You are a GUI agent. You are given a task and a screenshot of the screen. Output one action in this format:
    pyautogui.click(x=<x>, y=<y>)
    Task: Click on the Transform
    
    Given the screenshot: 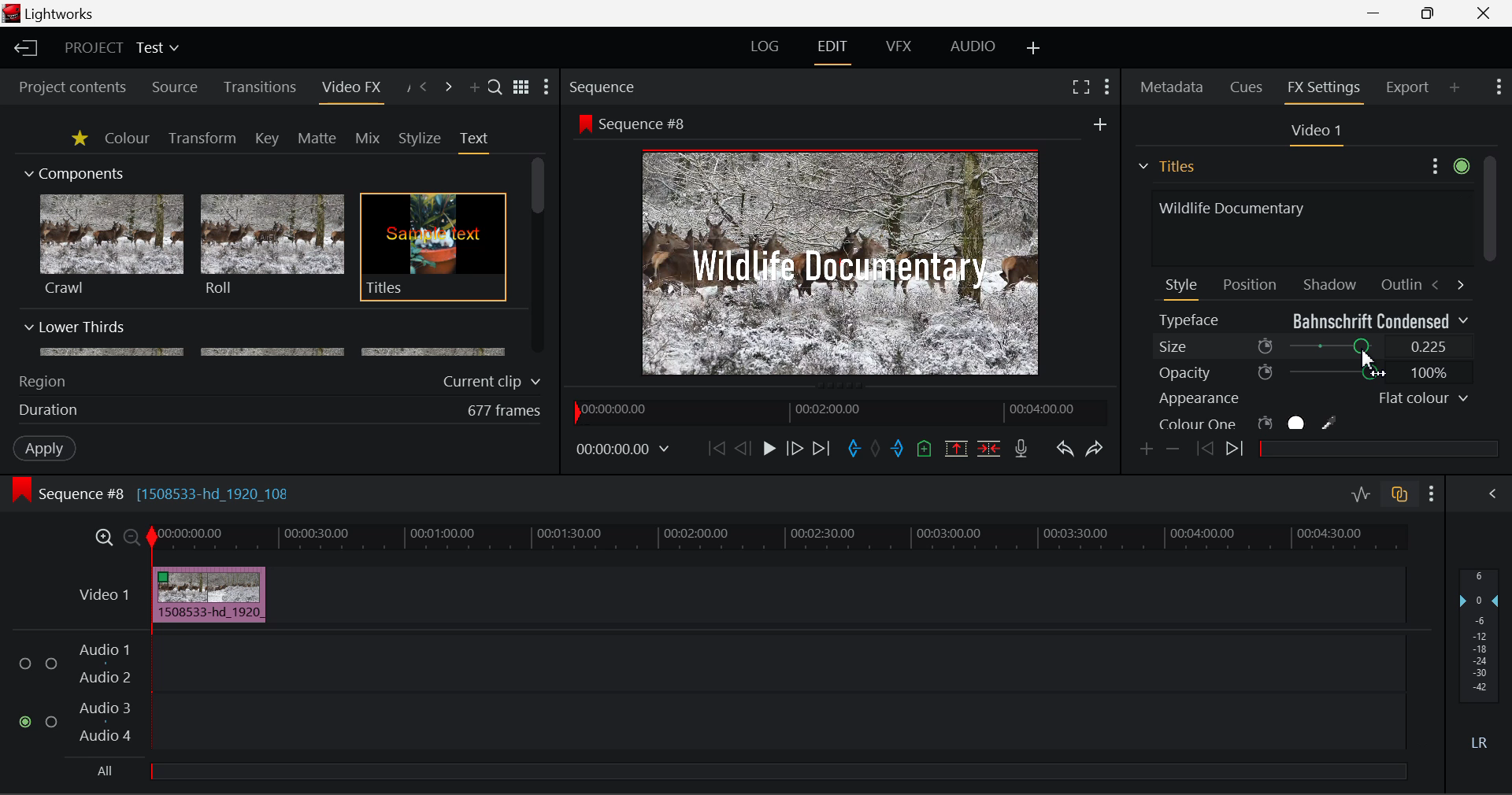 What is the action you would take?
    pyautogui.click(x=204, y=139)
    